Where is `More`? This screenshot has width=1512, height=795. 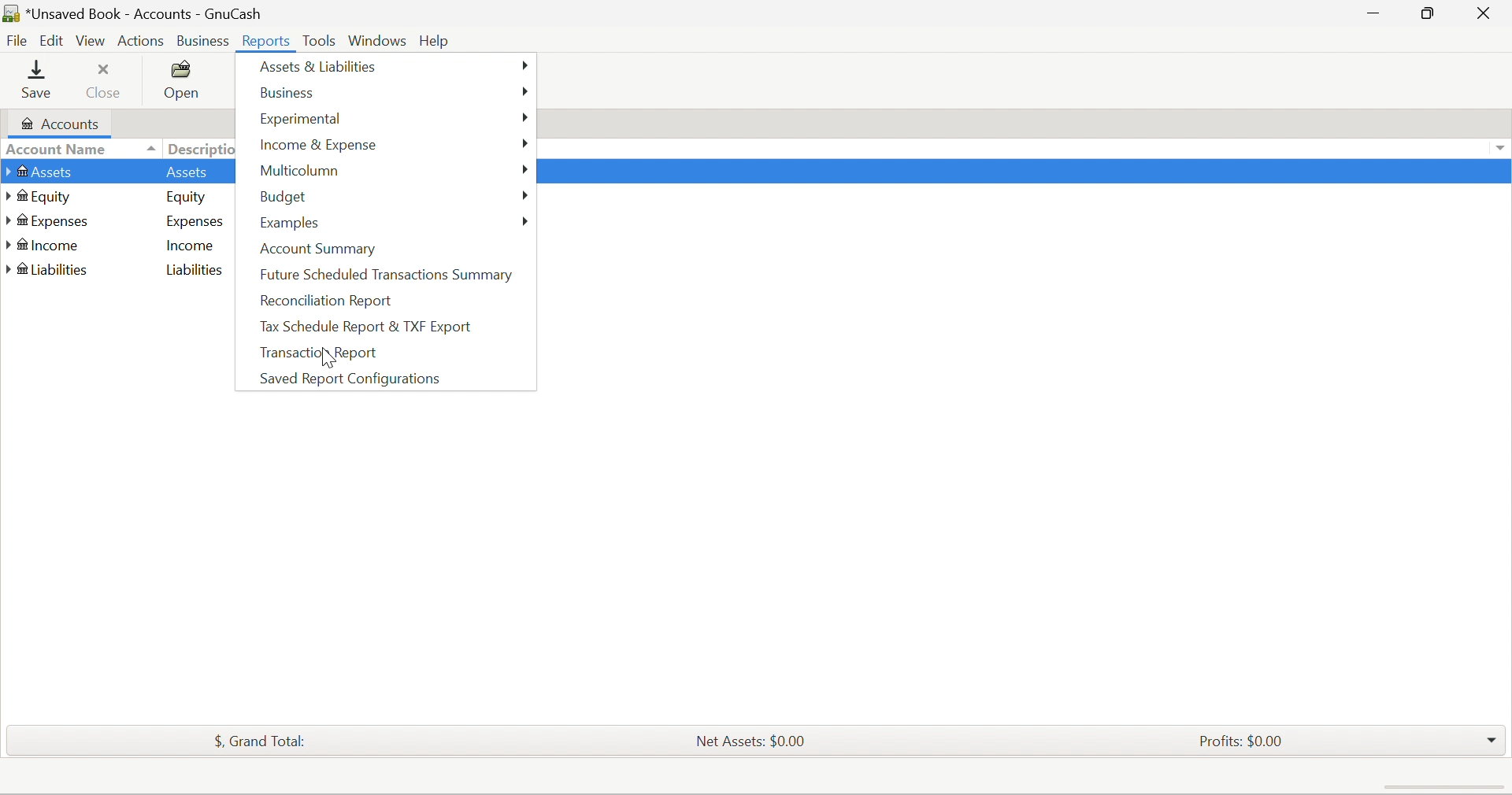
More is located at coordinates (523, 144).